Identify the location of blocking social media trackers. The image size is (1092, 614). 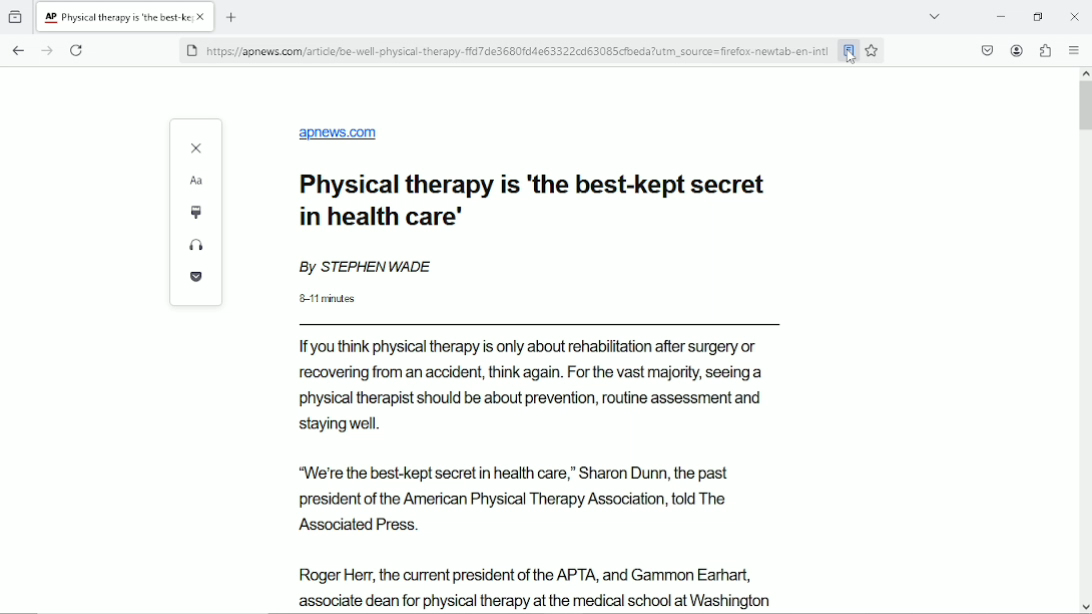
(191, 50).